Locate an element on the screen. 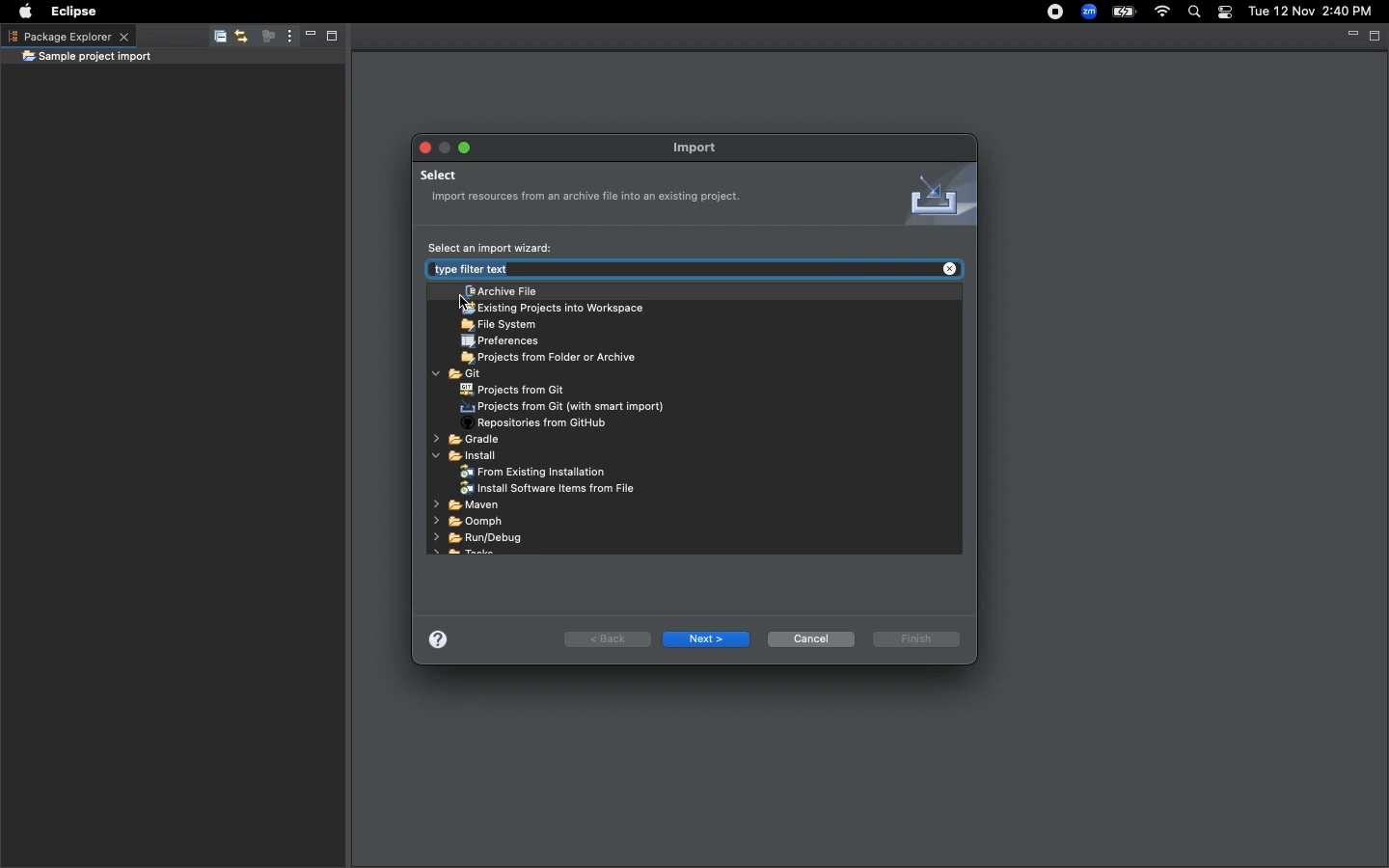 The height and width of the screenshot is (868, 1389). From existing installation is located at coordinates (535, 473).